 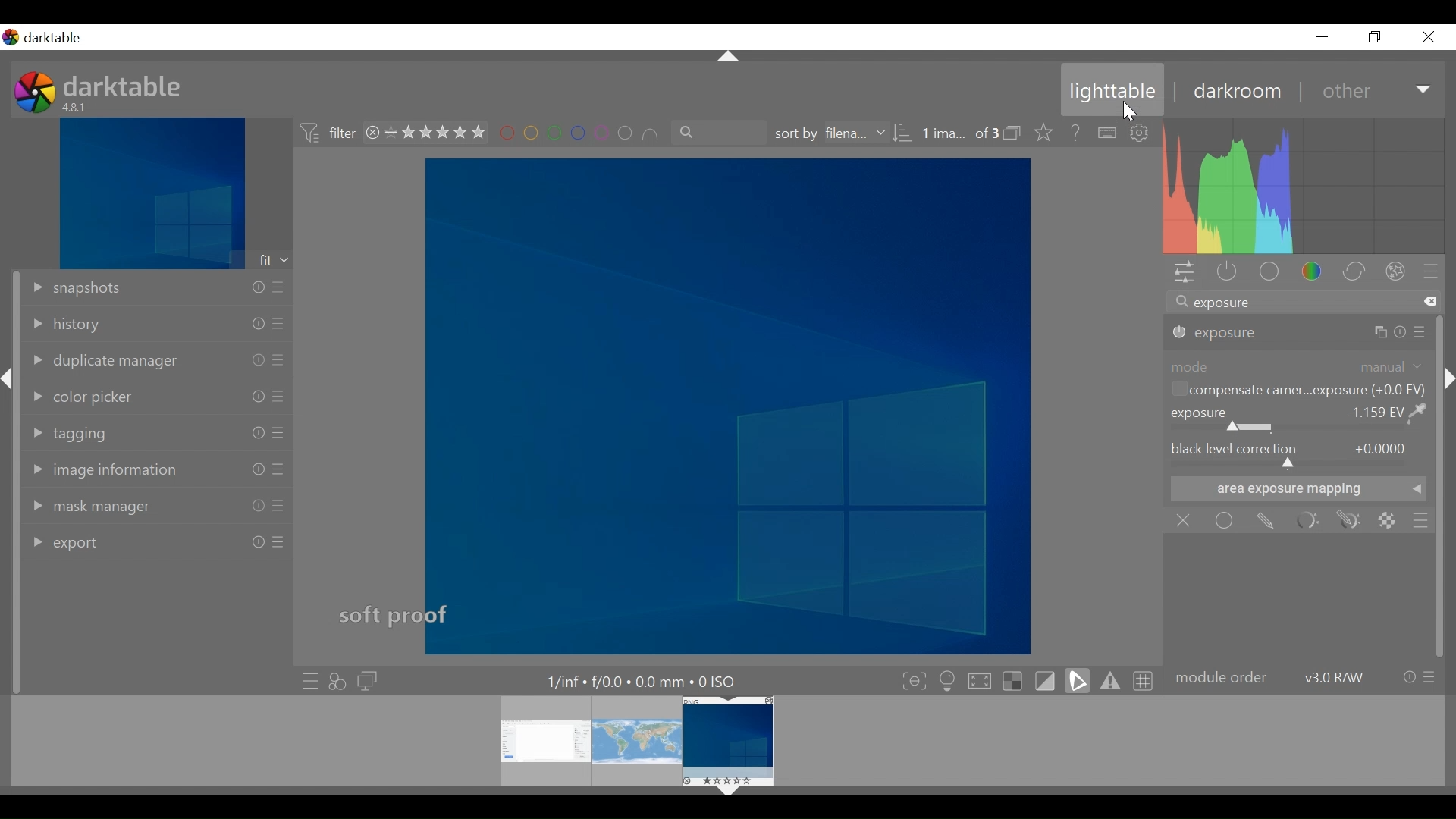 I want to click on define shortcuts, so click(x=1109, y=133).